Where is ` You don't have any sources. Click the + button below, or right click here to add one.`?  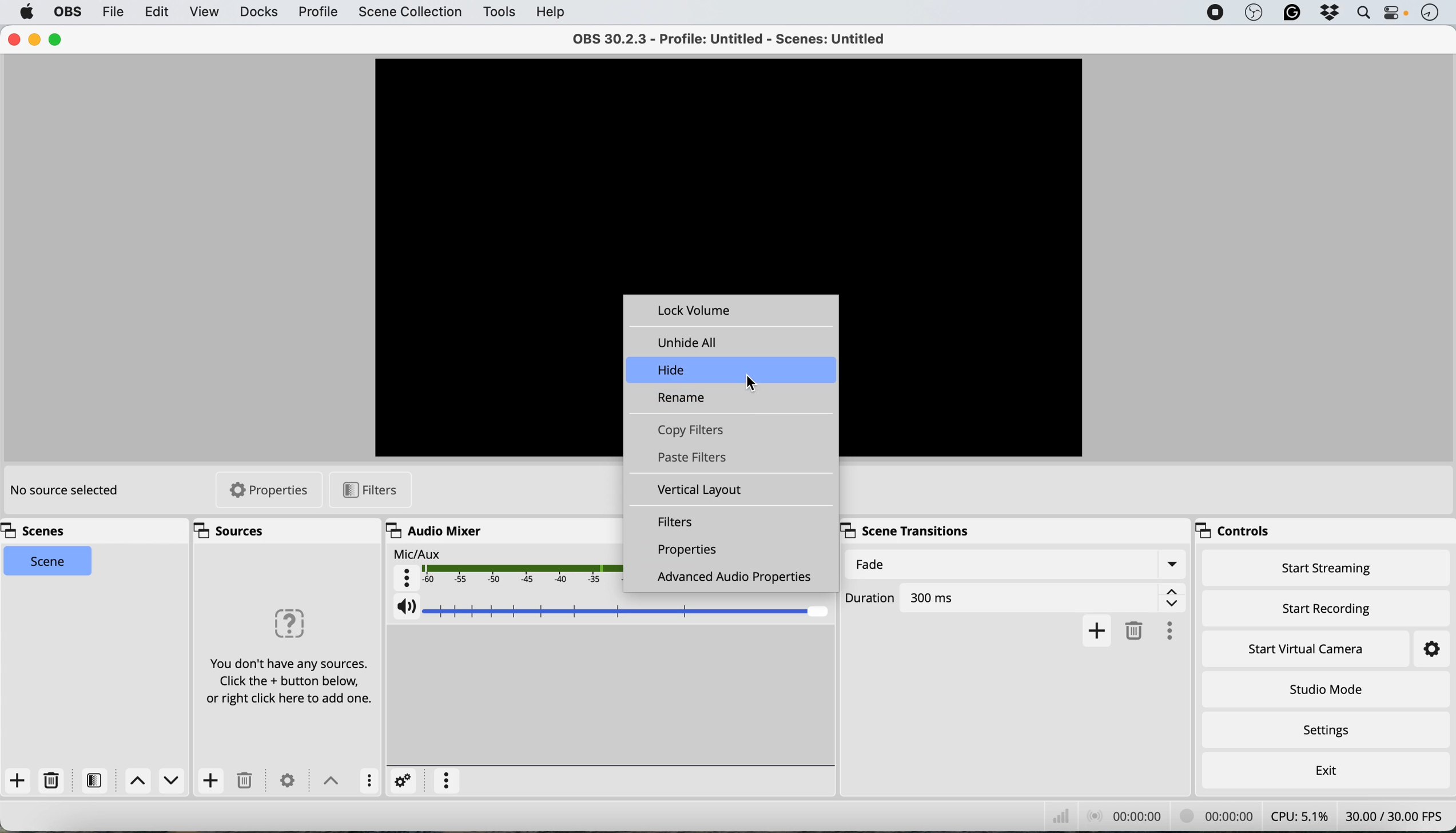  You don't have any sources. Click the + button below, or right click here to add one. is located at coordinates (287, 657).